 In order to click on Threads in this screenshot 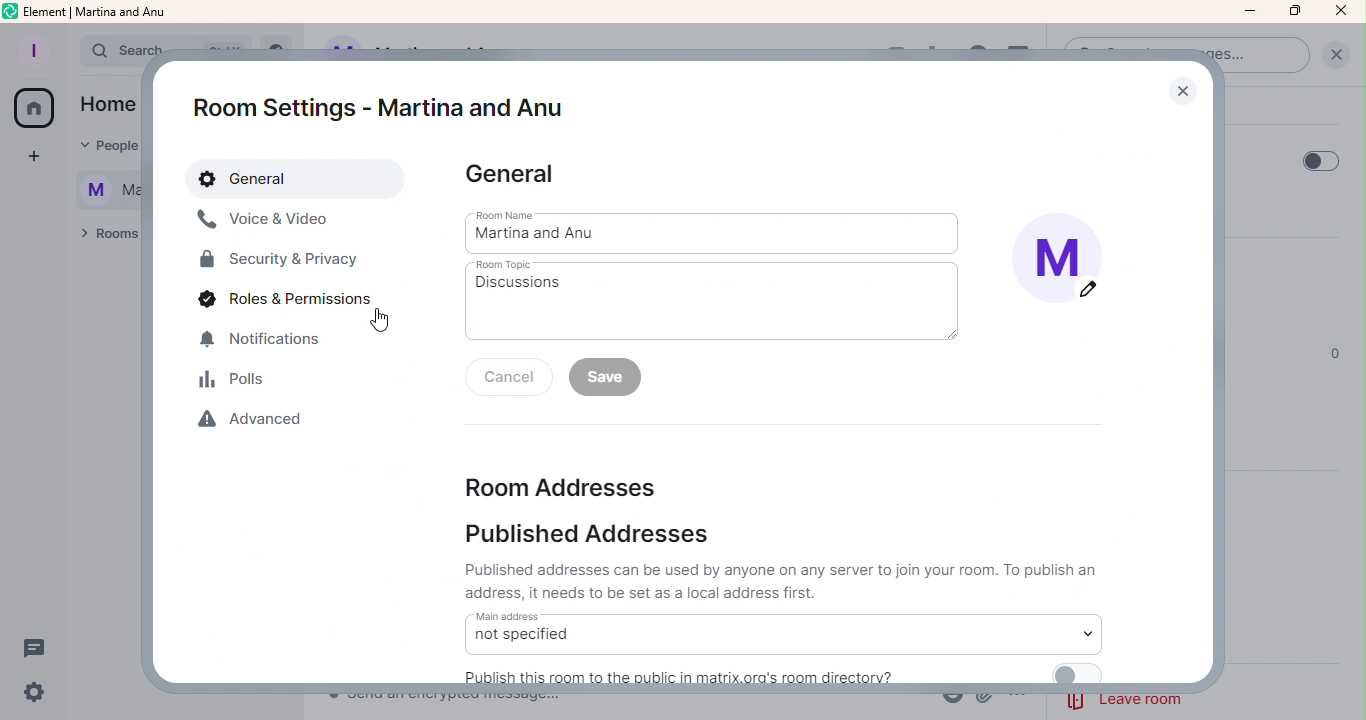, I will do `click(40, 647)`.